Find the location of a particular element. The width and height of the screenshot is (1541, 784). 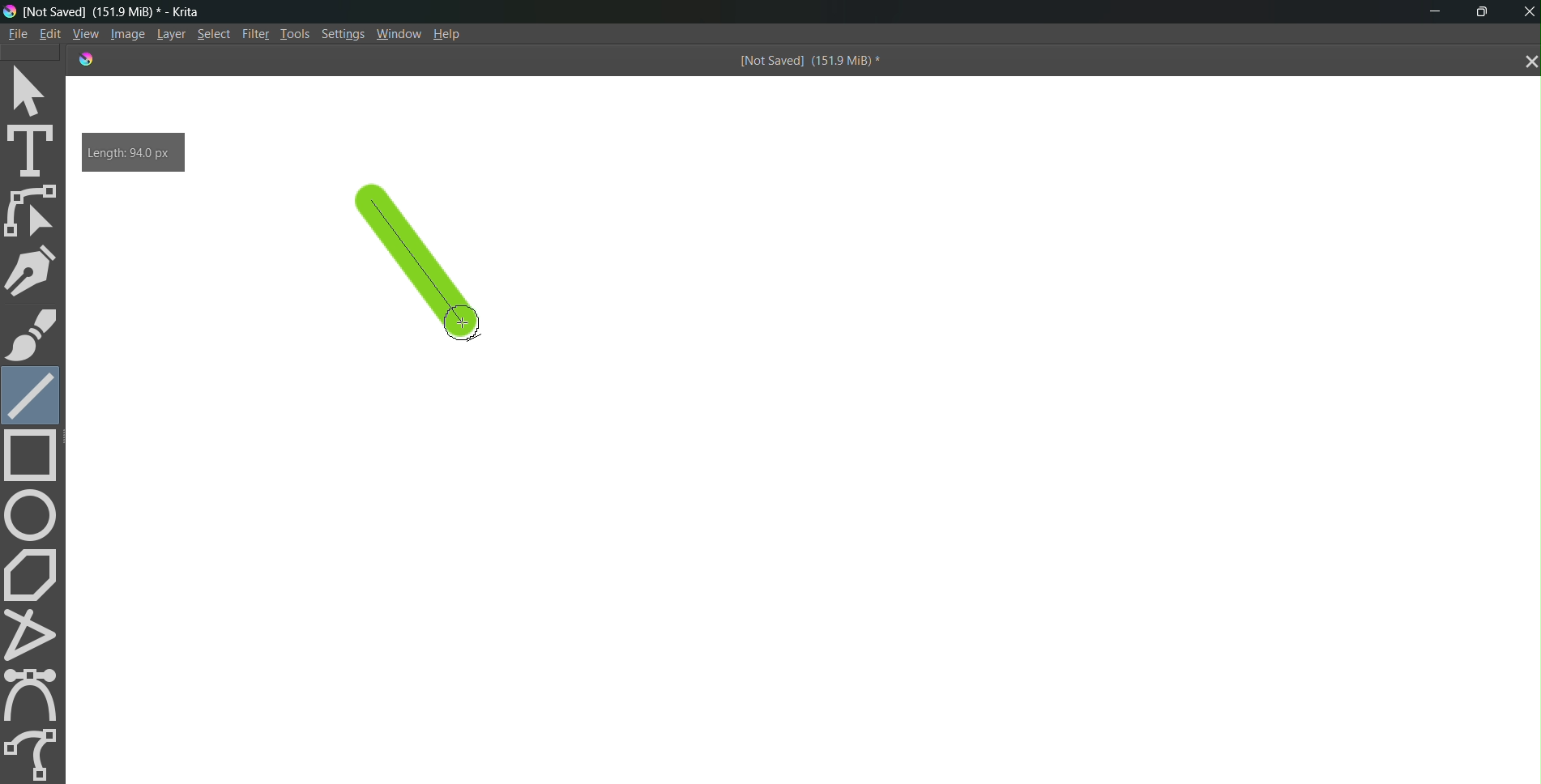

edit shape is located at coordinates (35, 211).